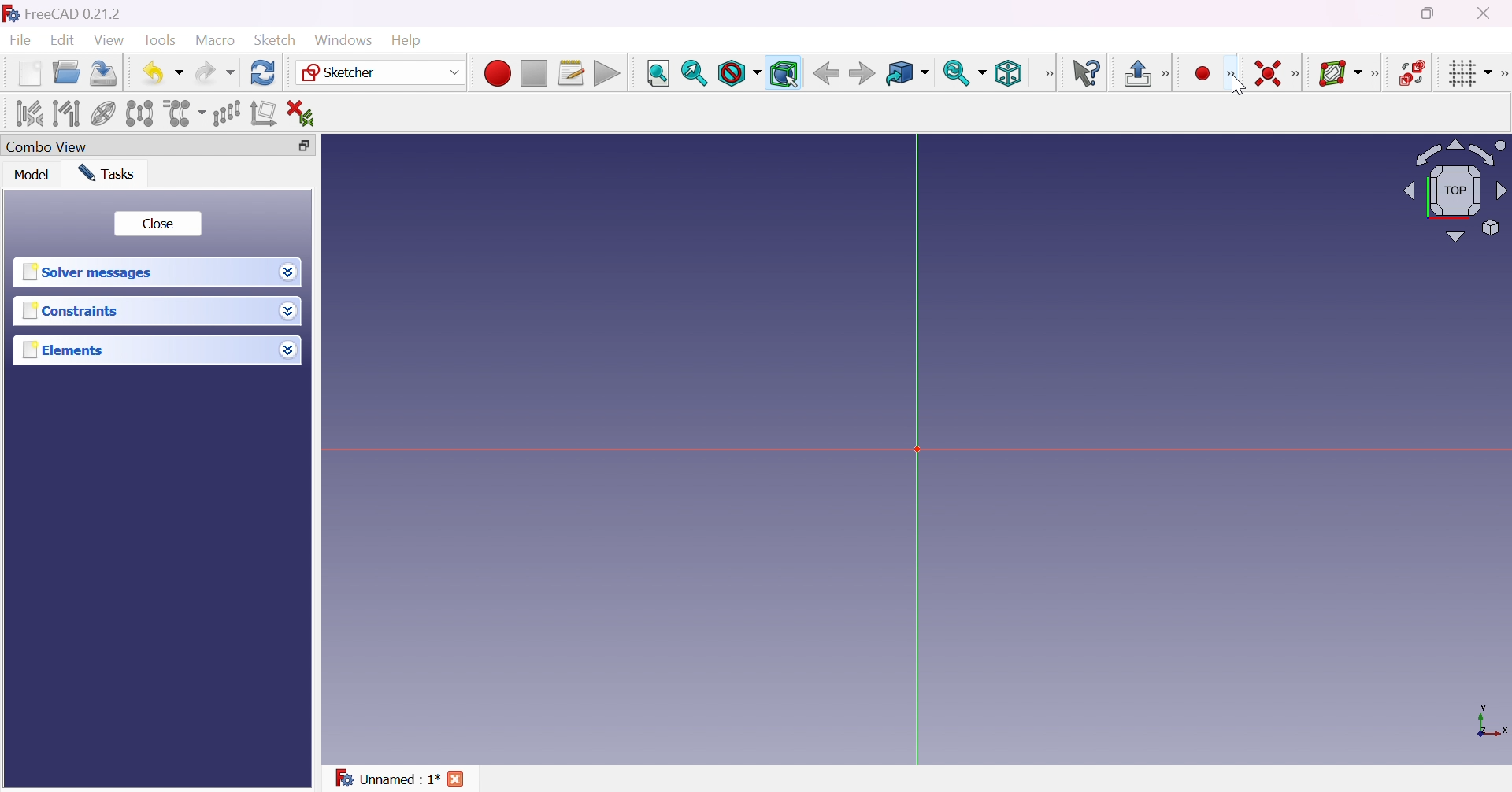 This screenshot has width=1512, height=792. Describe the element at coordinates (387, 779) in the screenshot. I see `Unnamed : 1*` at that location.